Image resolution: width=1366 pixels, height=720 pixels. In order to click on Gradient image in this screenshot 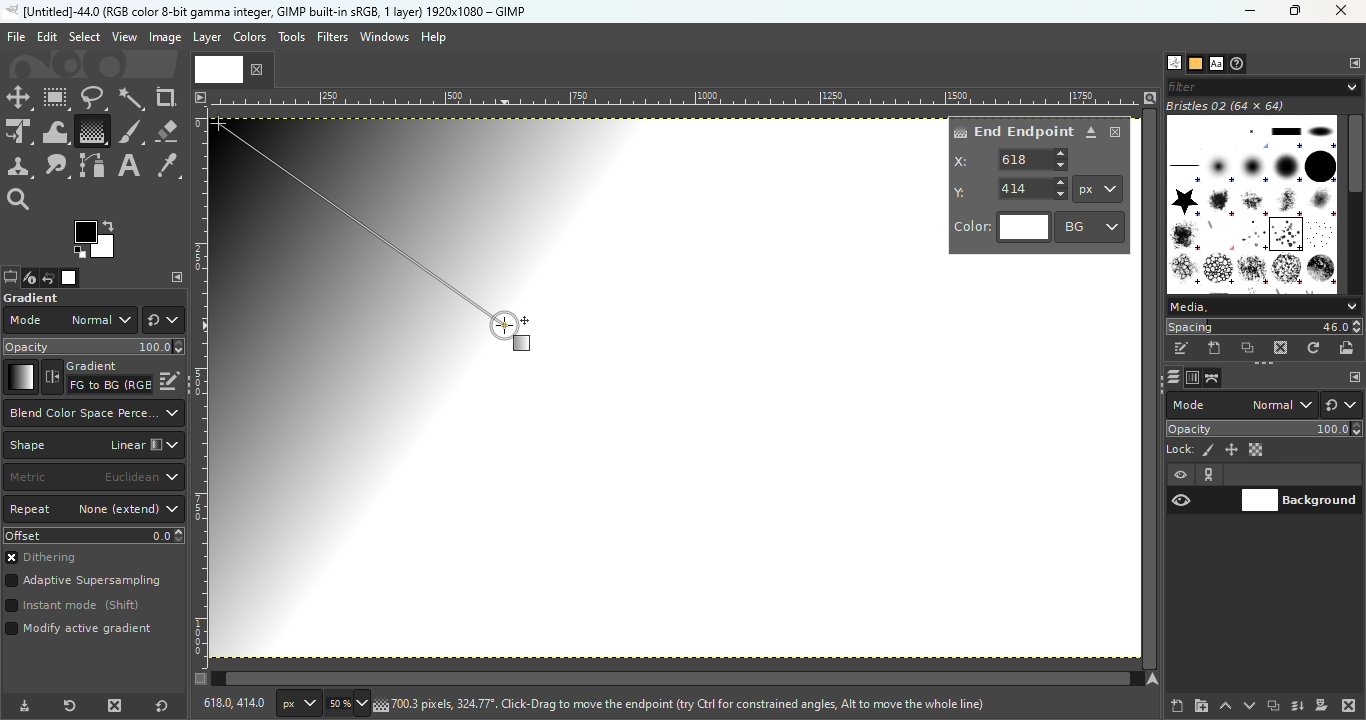, I will do `click(442, 383)`.